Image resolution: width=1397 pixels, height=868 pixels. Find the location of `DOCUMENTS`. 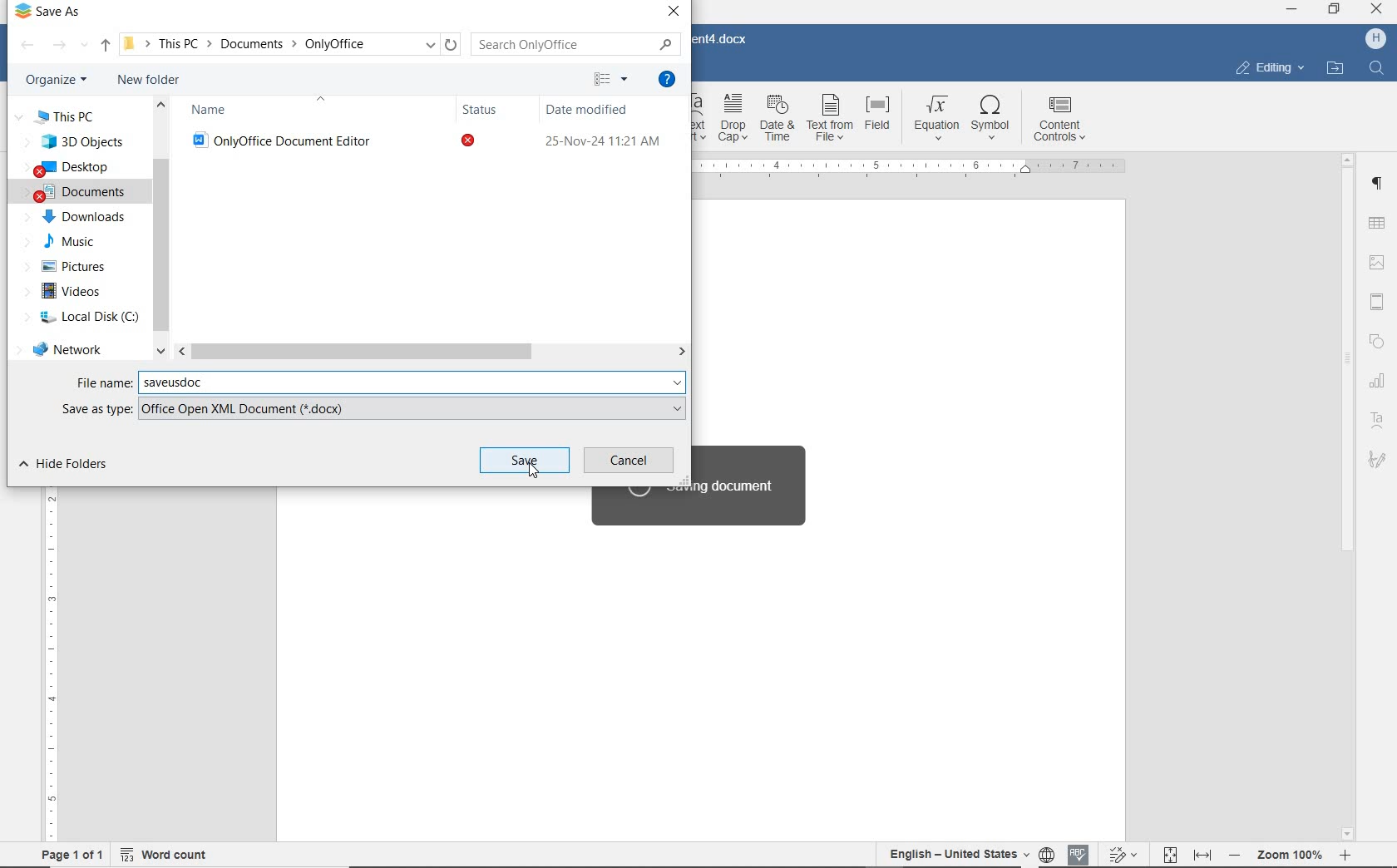

DOCUMENTS is located at coordinates (71, 192).